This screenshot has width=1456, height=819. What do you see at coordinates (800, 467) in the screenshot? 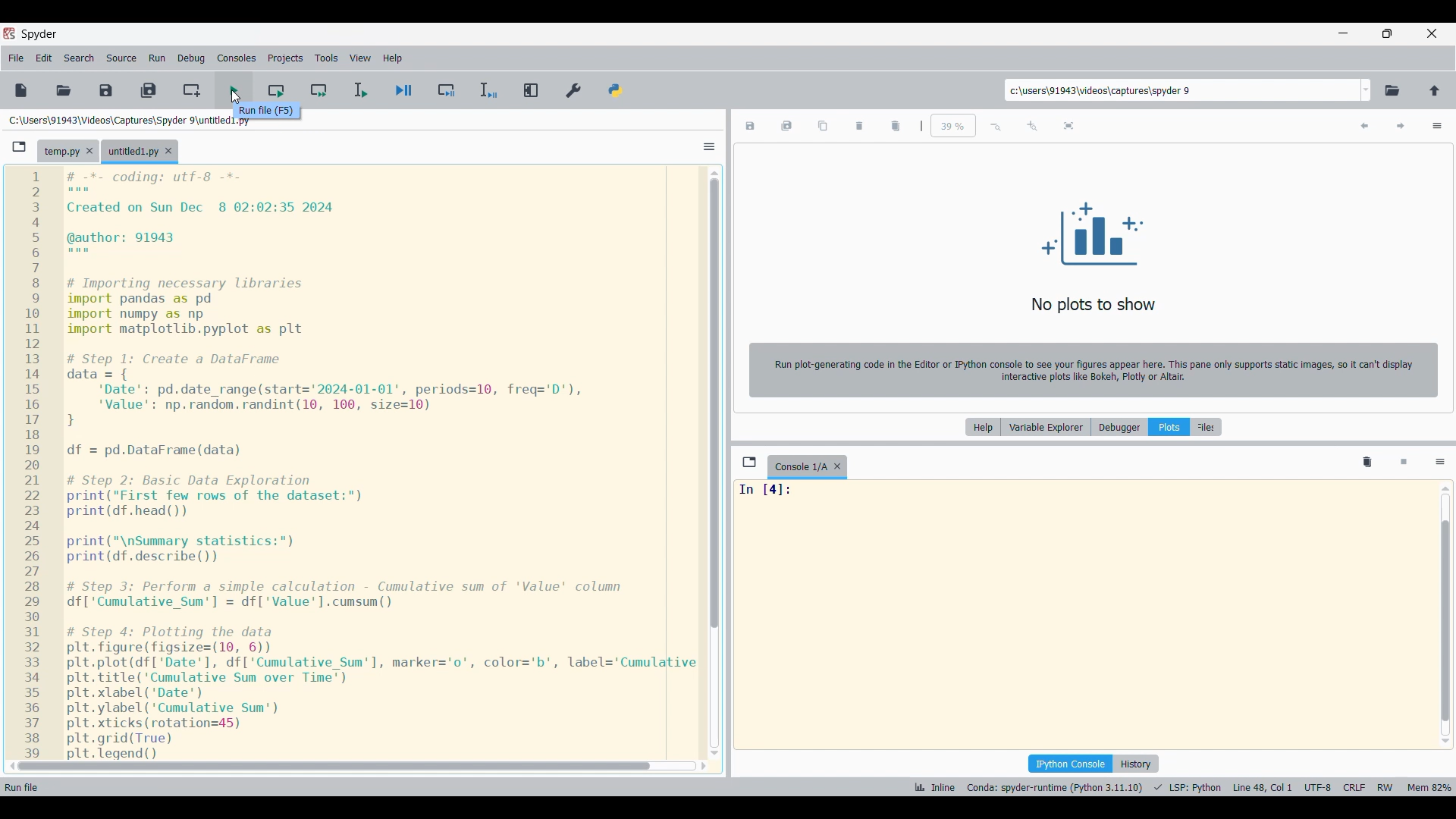
I see `Current tab` at bounding box center [800, 467].